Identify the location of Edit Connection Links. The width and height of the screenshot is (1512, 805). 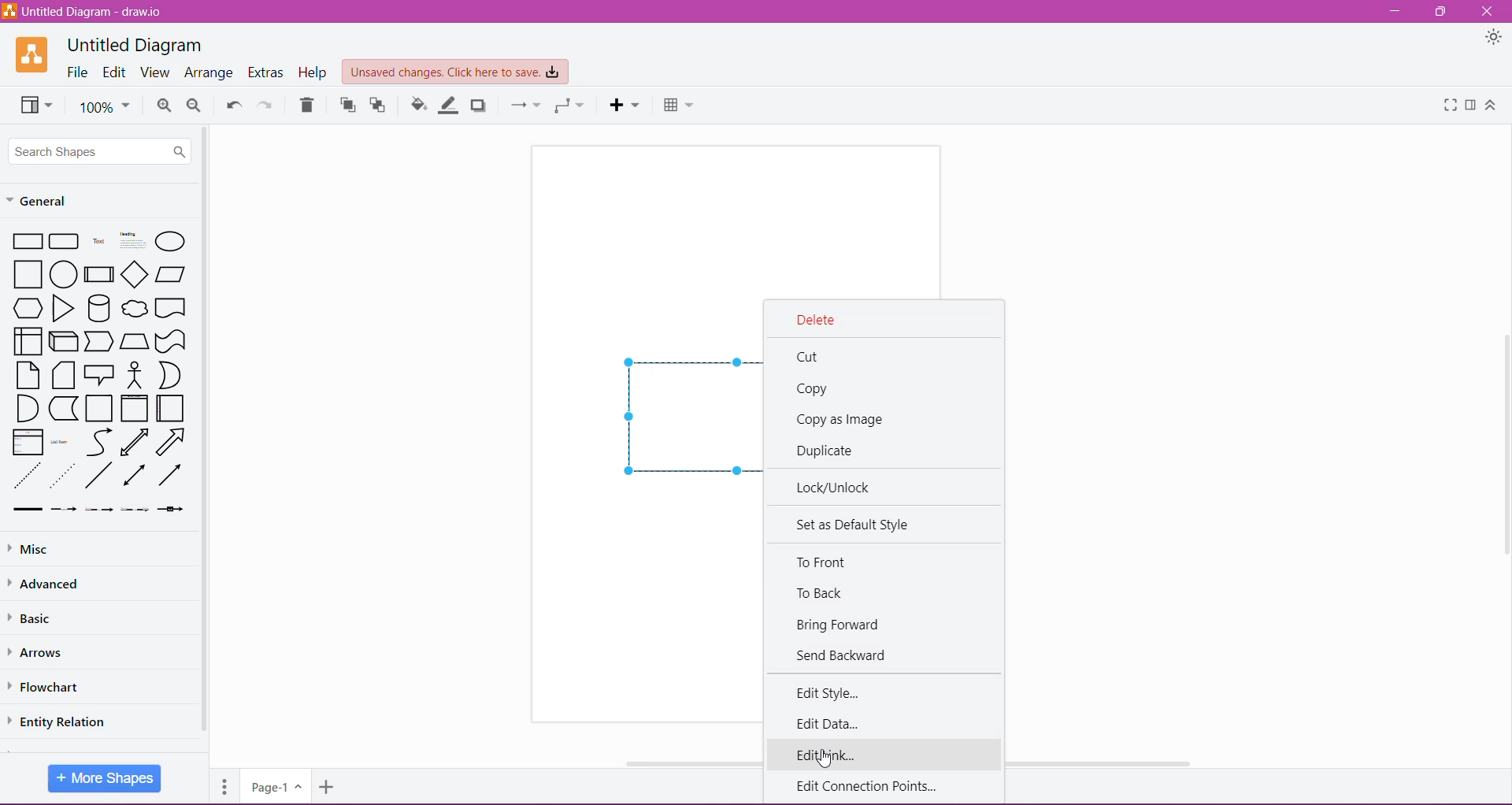
(876, 785).